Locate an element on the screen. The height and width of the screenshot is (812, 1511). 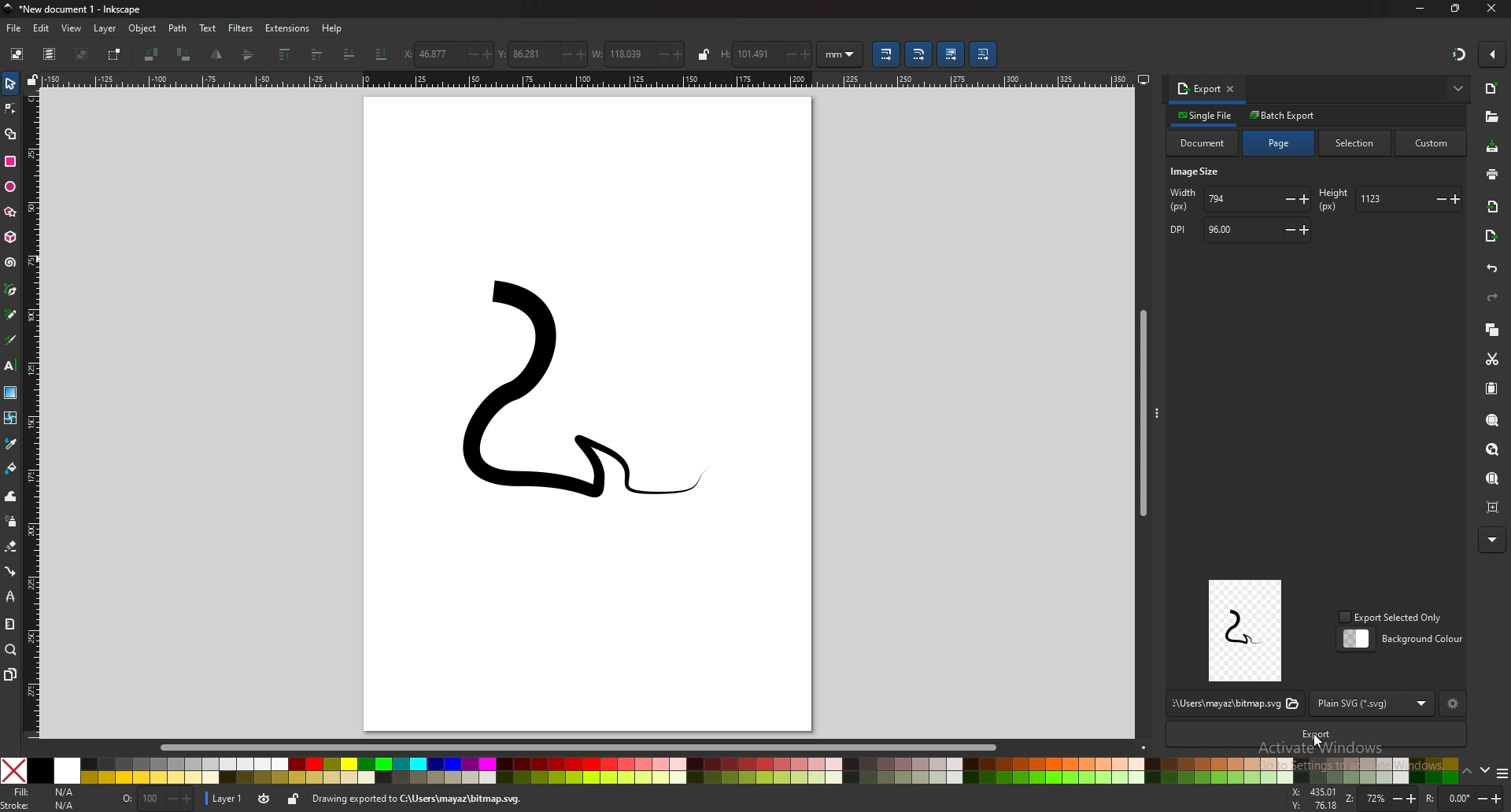
format is located at coordinates (1376, 704).